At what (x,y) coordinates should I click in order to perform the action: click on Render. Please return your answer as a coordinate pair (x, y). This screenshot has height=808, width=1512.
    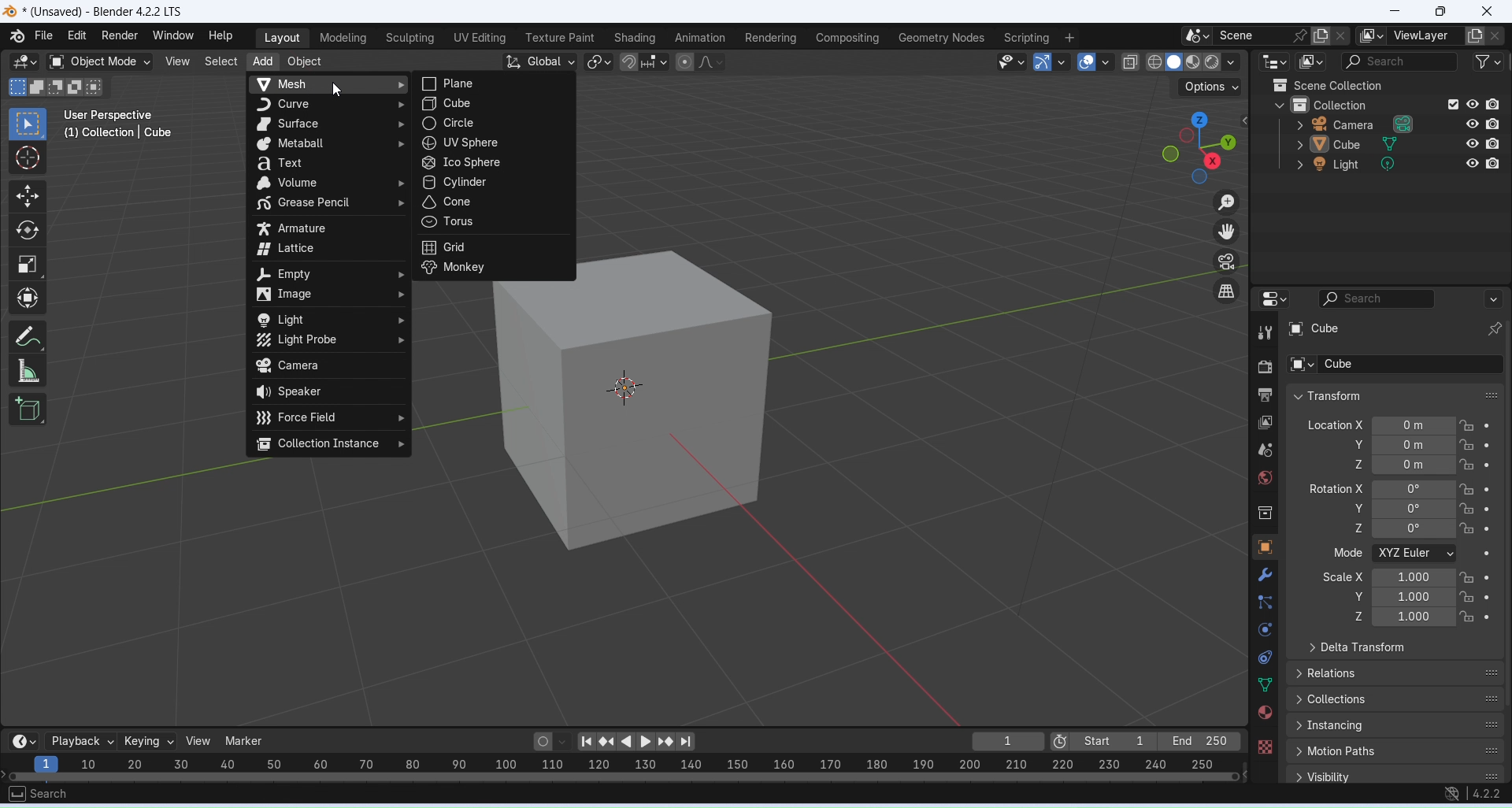
    Looking at the image, I should click on (120, 35).